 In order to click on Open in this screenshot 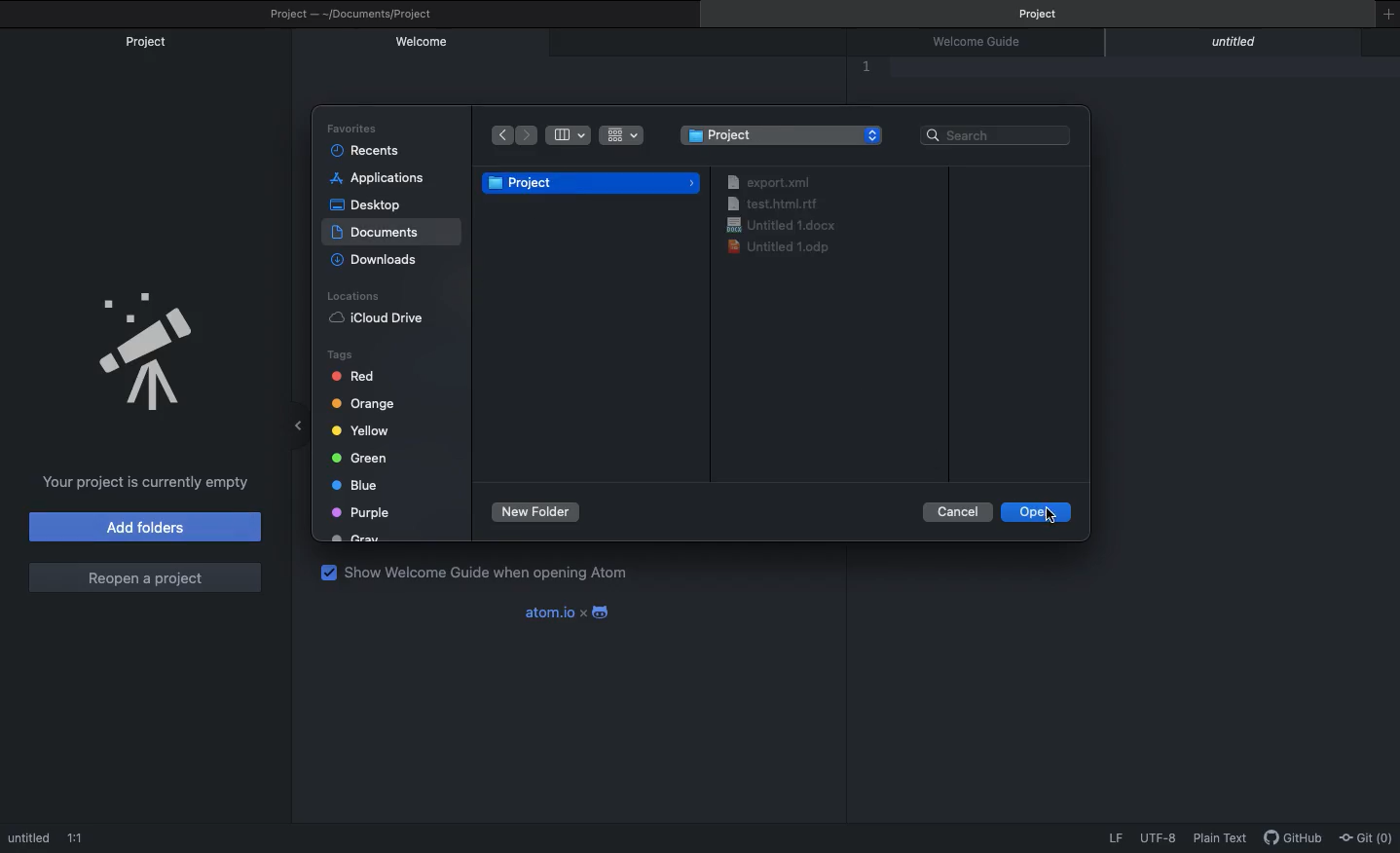, I will do `click(1042, 515)`.